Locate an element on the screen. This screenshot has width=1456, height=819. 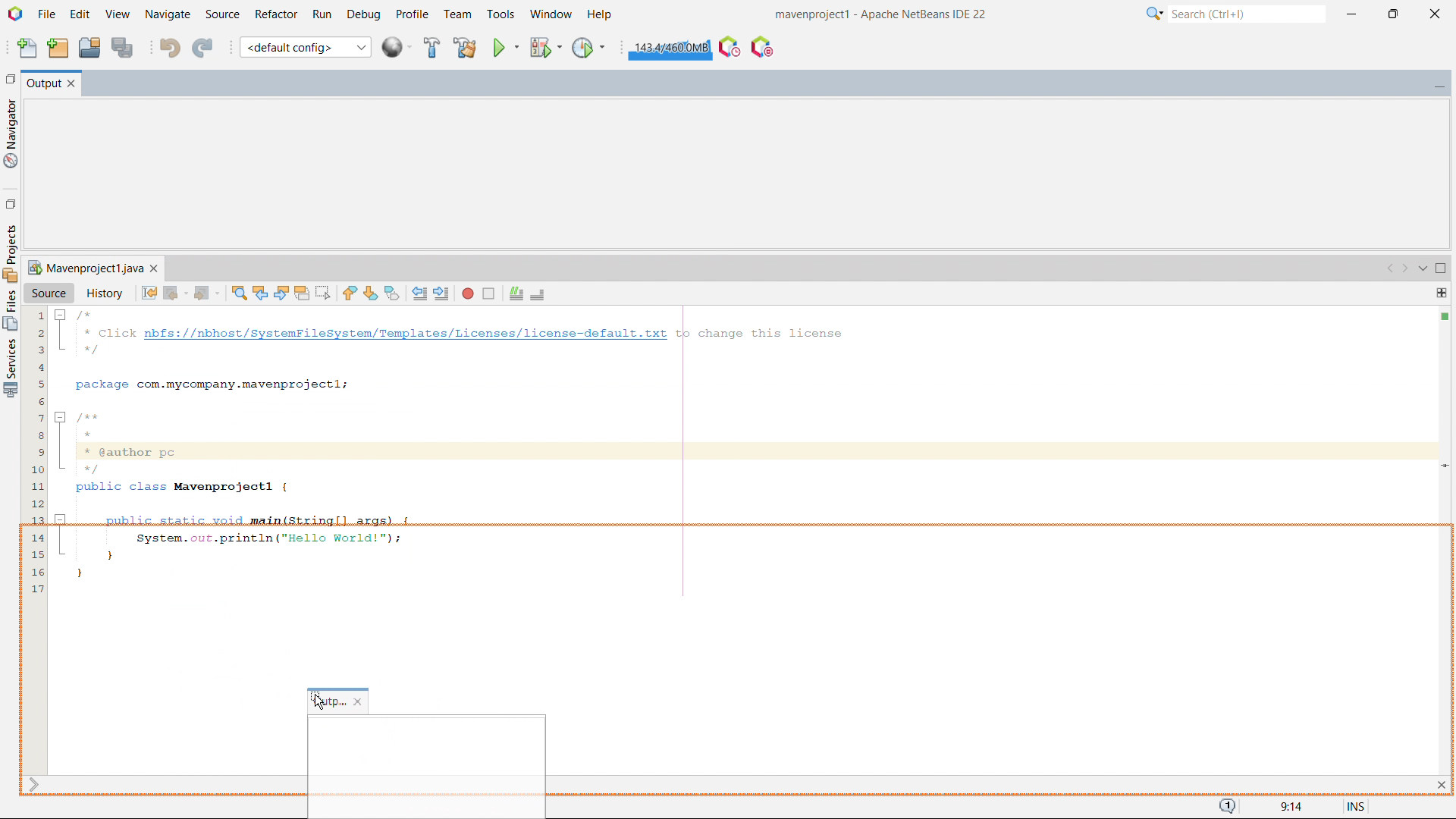
open project is located at coordinates (89, 45).